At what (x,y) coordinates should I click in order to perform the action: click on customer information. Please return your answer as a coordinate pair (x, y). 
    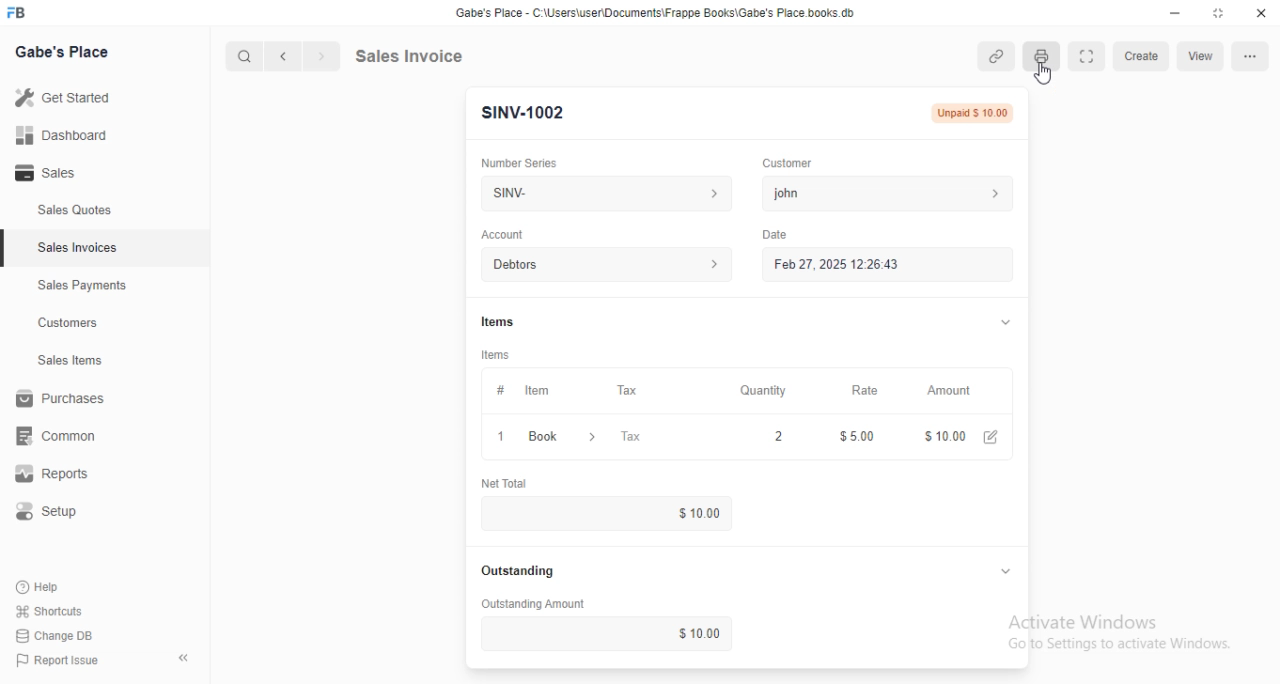
    Looking at the image, I should click on (996, 193).